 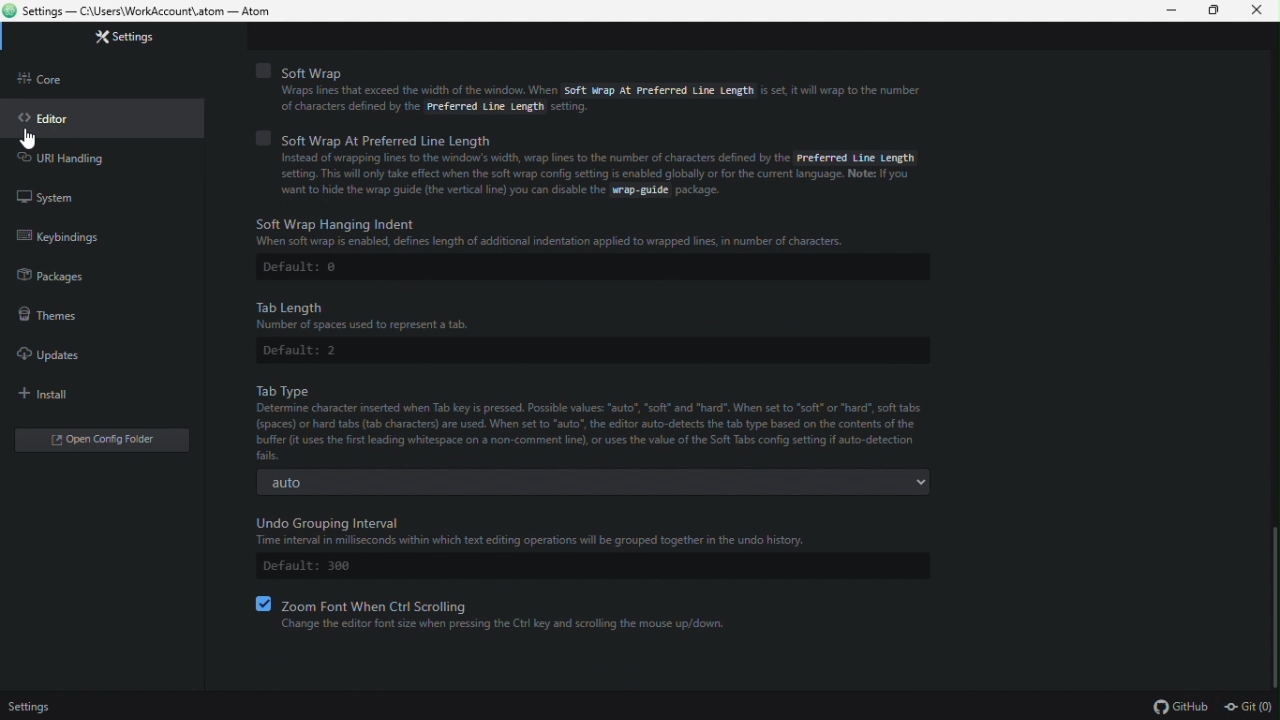 What do you see at coordinates (83, 159) in the screenshot?
I see `URL handling` at bounding box center [83, 159].